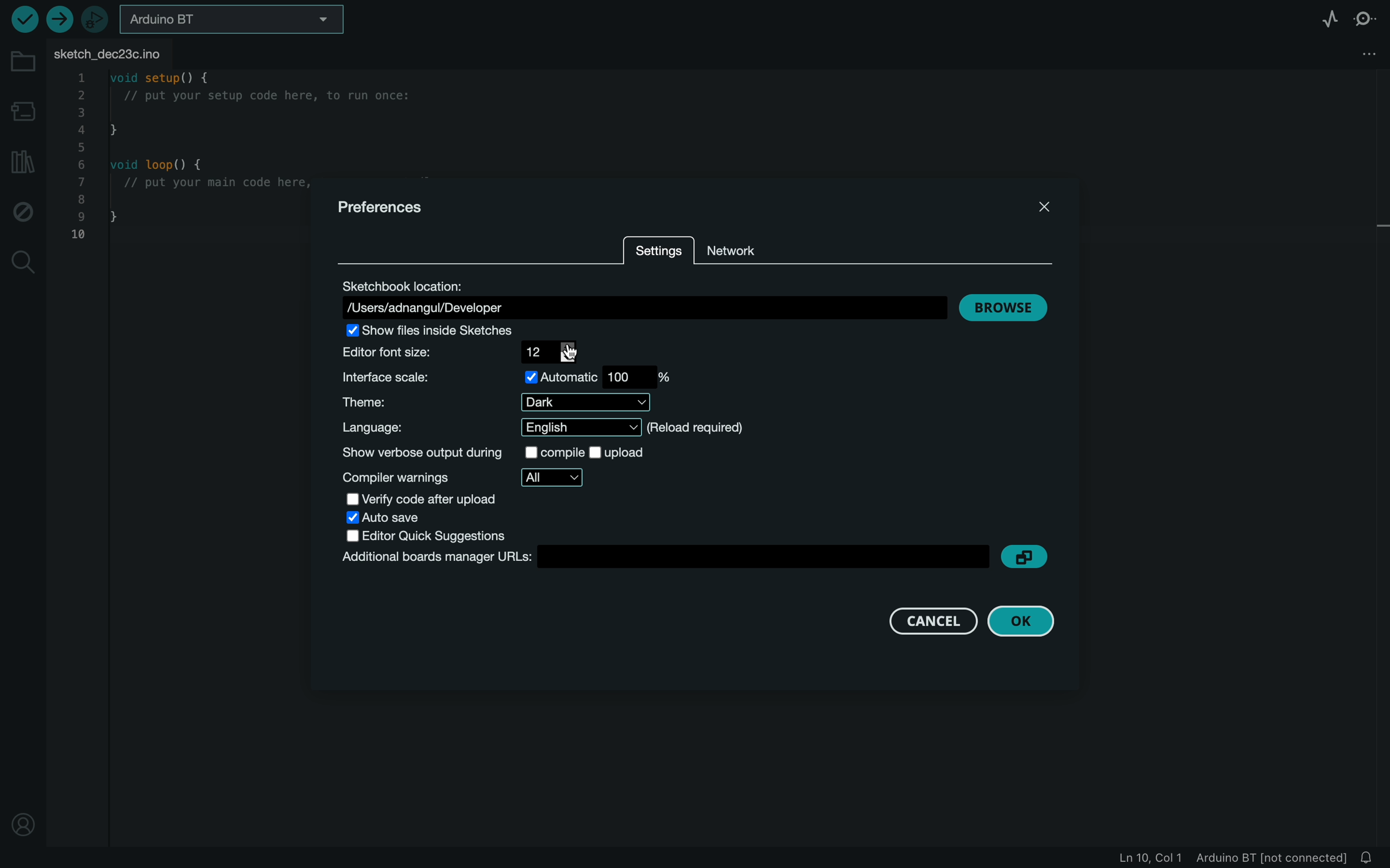 The height and width of the screenshot is (868, 1390). I want to click on font size, so click(458, 353).